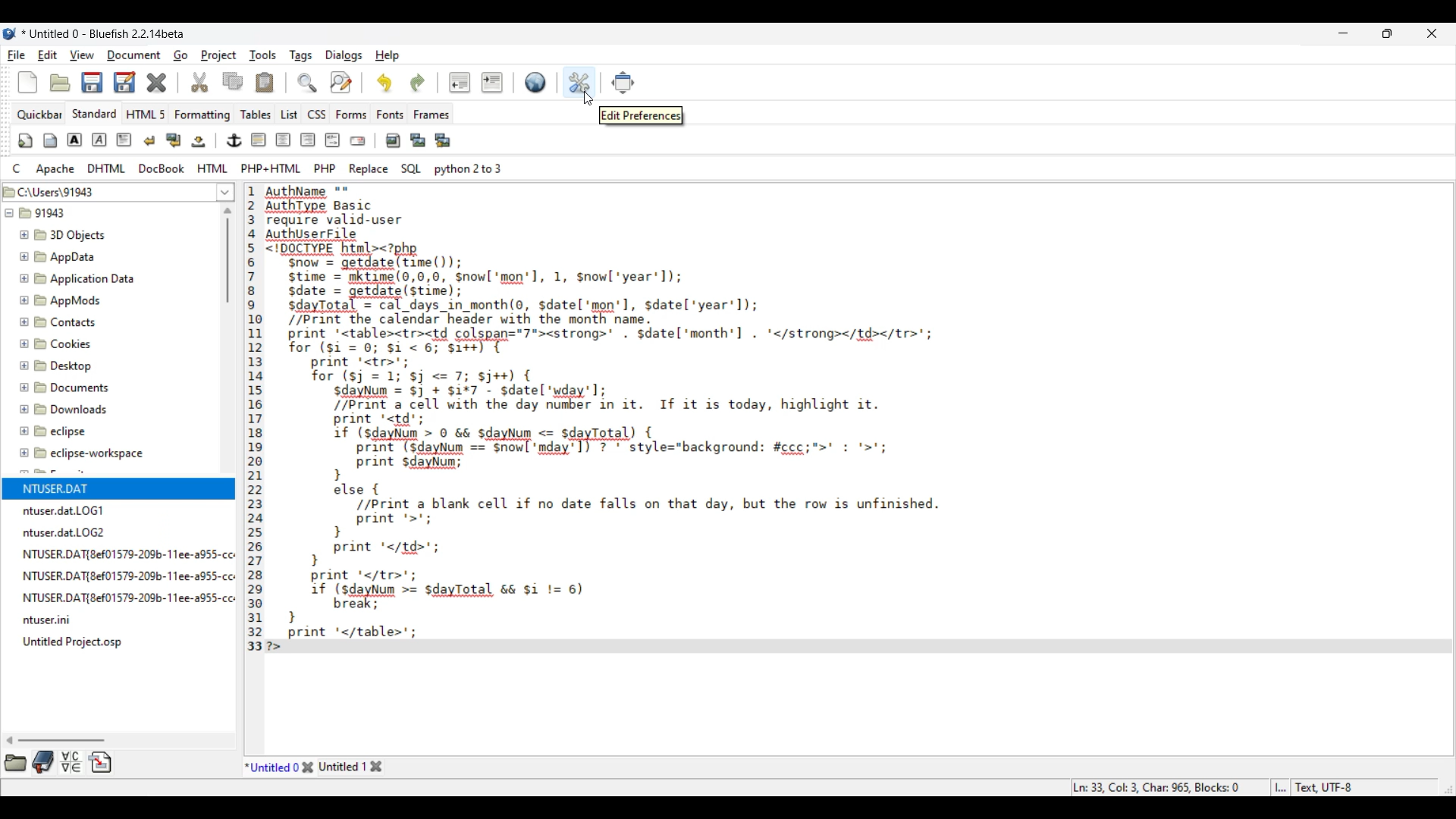 The height and width of the screenshot is (819, 1456). What do you see at coordinates (128, 598) in the screenshot?
I see `NTUSER.DAT{8ef01579-209b-11ee-2955-cc:` at bounding box center [128, 598].